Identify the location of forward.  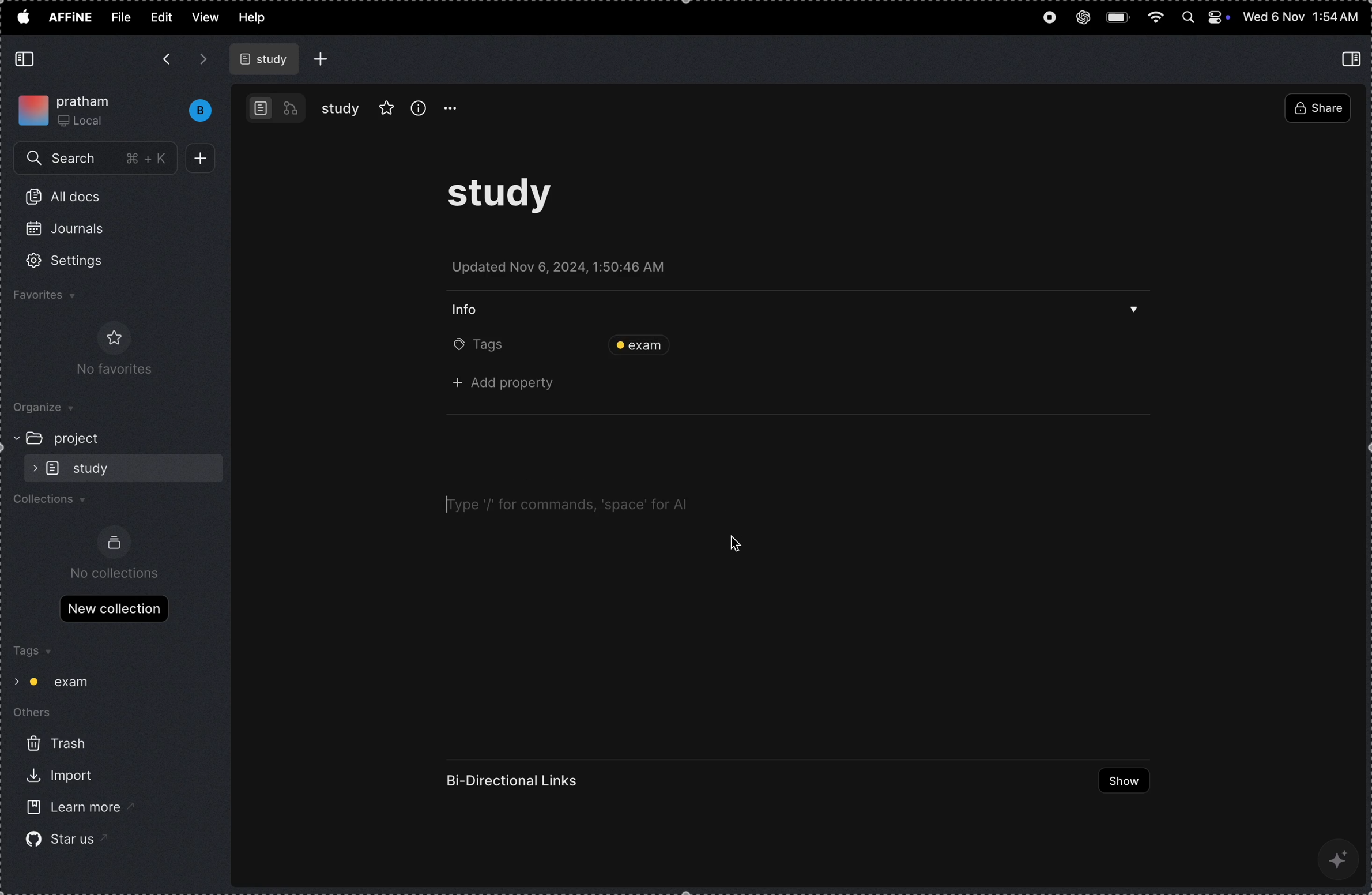
(203, 59).